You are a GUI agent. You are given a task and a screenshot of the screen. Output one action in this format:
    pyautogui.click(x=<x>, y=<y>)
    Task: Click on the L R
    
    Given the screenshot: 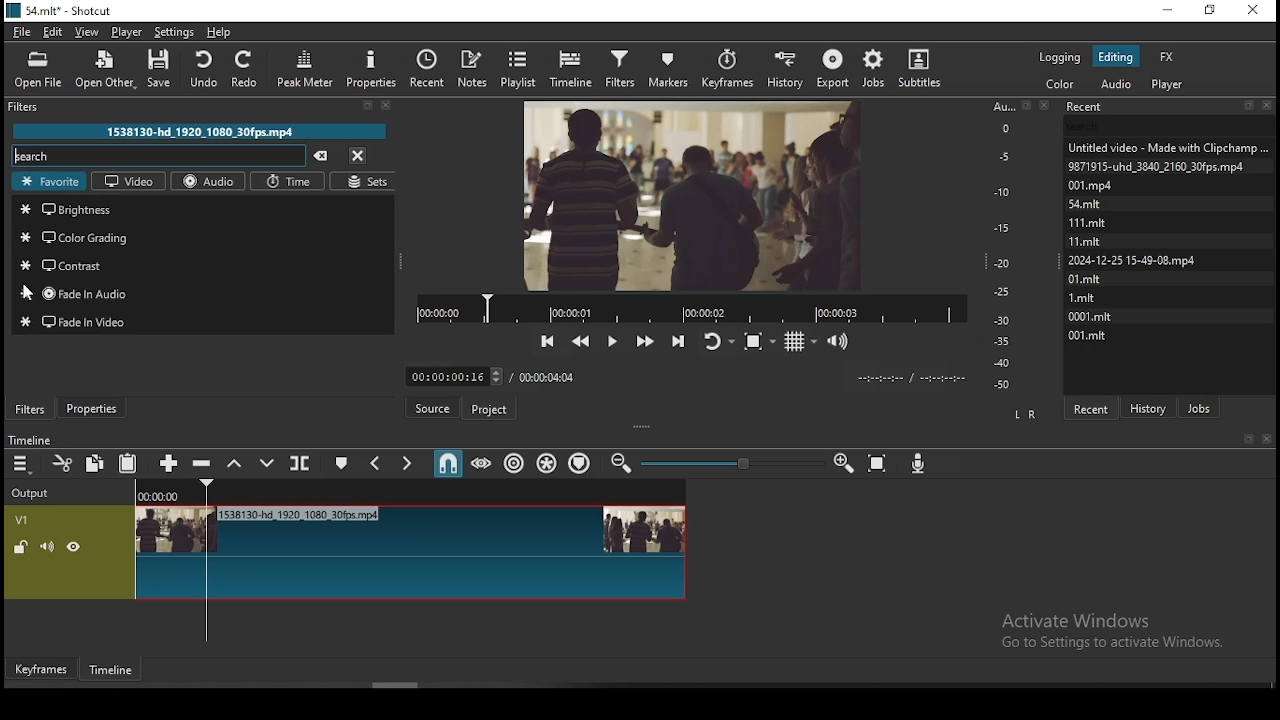 What is the action you would take?
    pyautogui.click(x=1022, y=413)
    